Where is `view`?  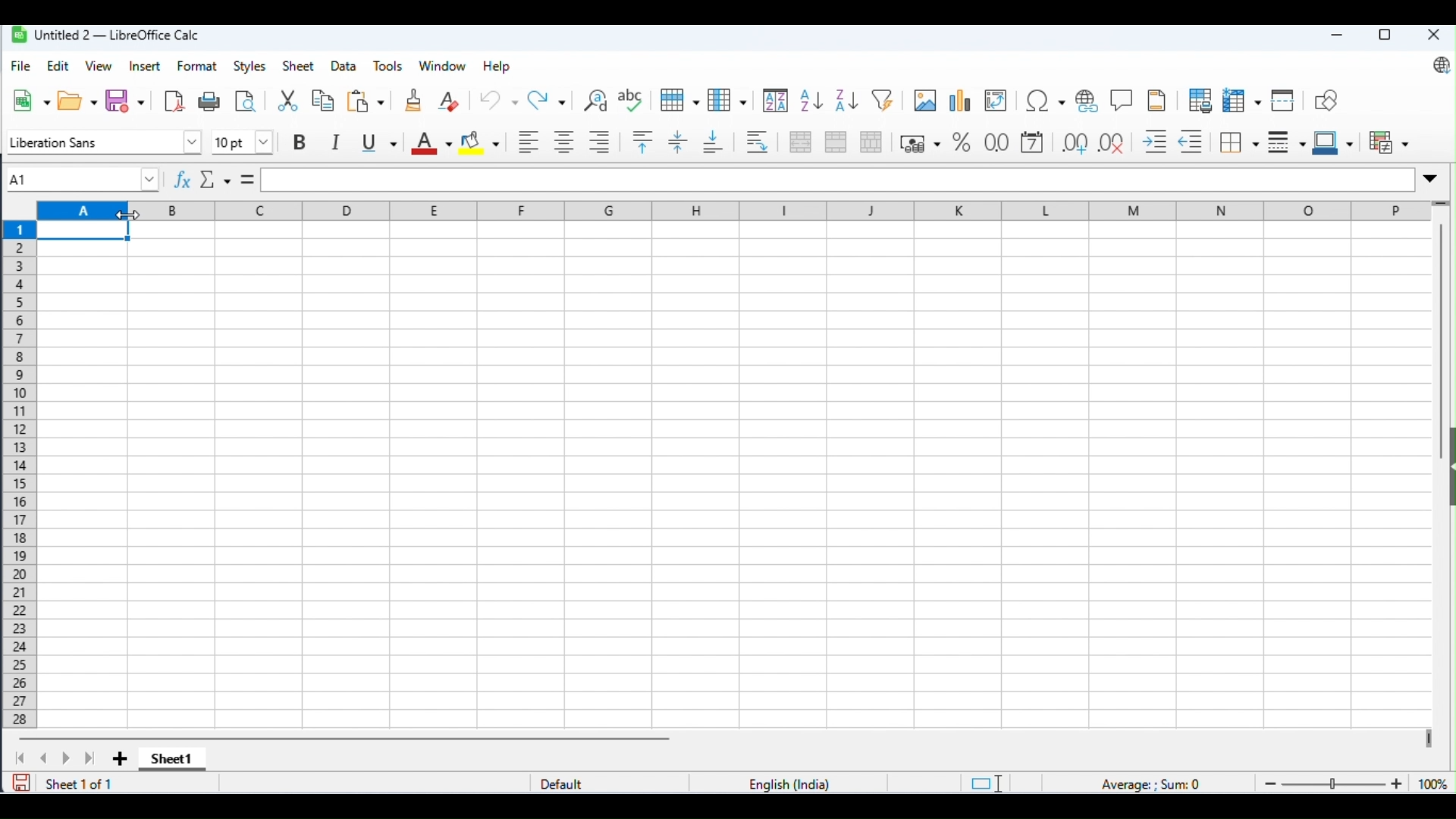 view is located at coordinates (99, 65).